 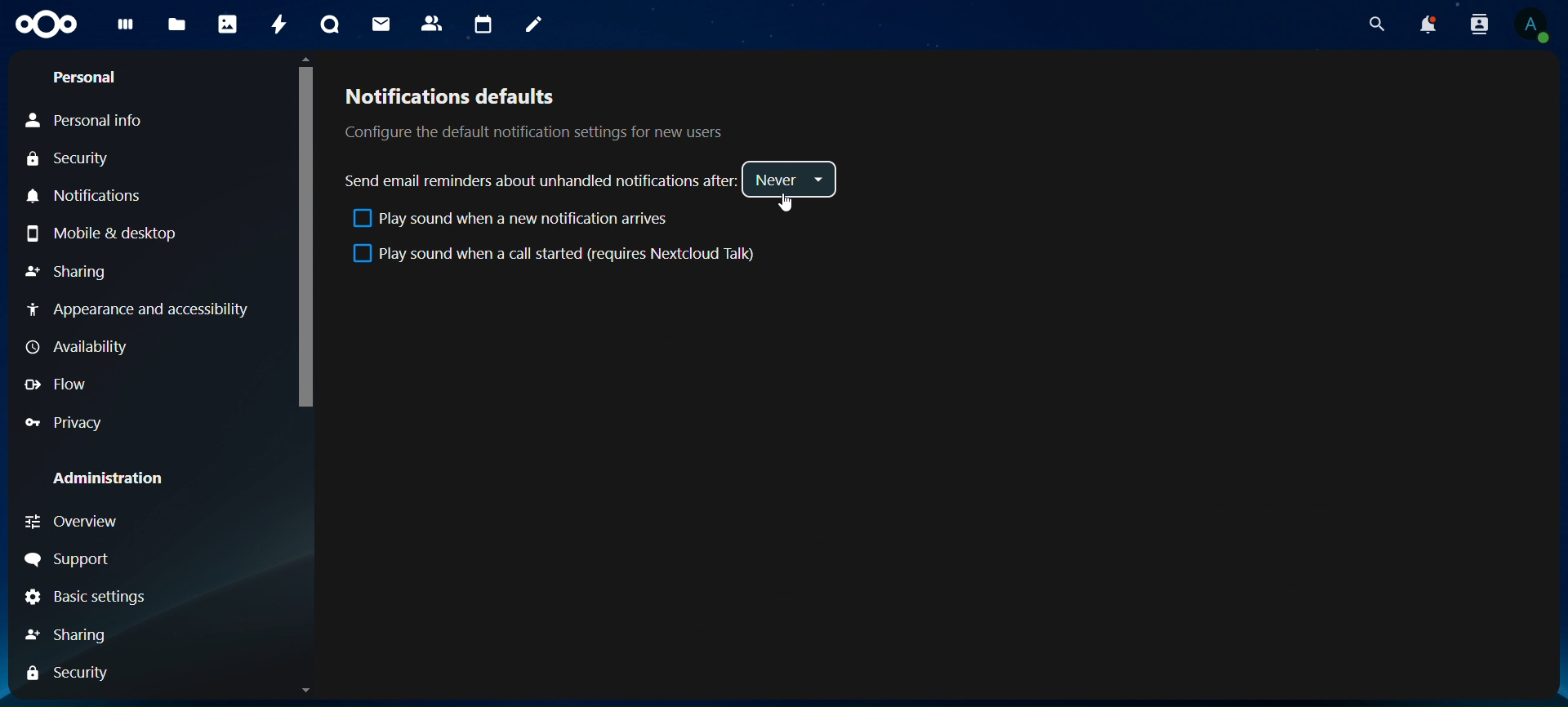 I want to click on Sharing, so click(x=69, y=636).